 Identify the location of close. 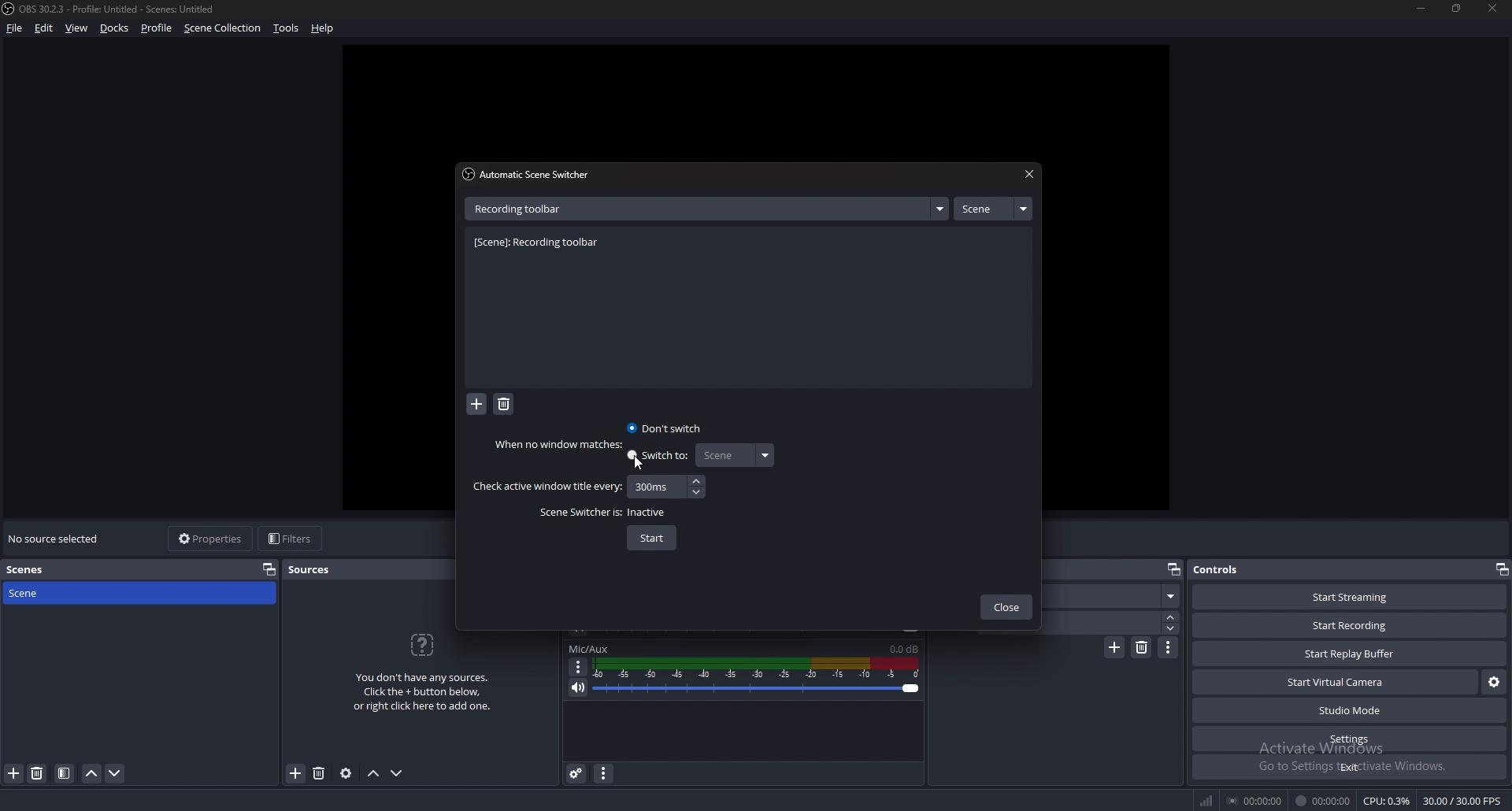
(1006, 609).